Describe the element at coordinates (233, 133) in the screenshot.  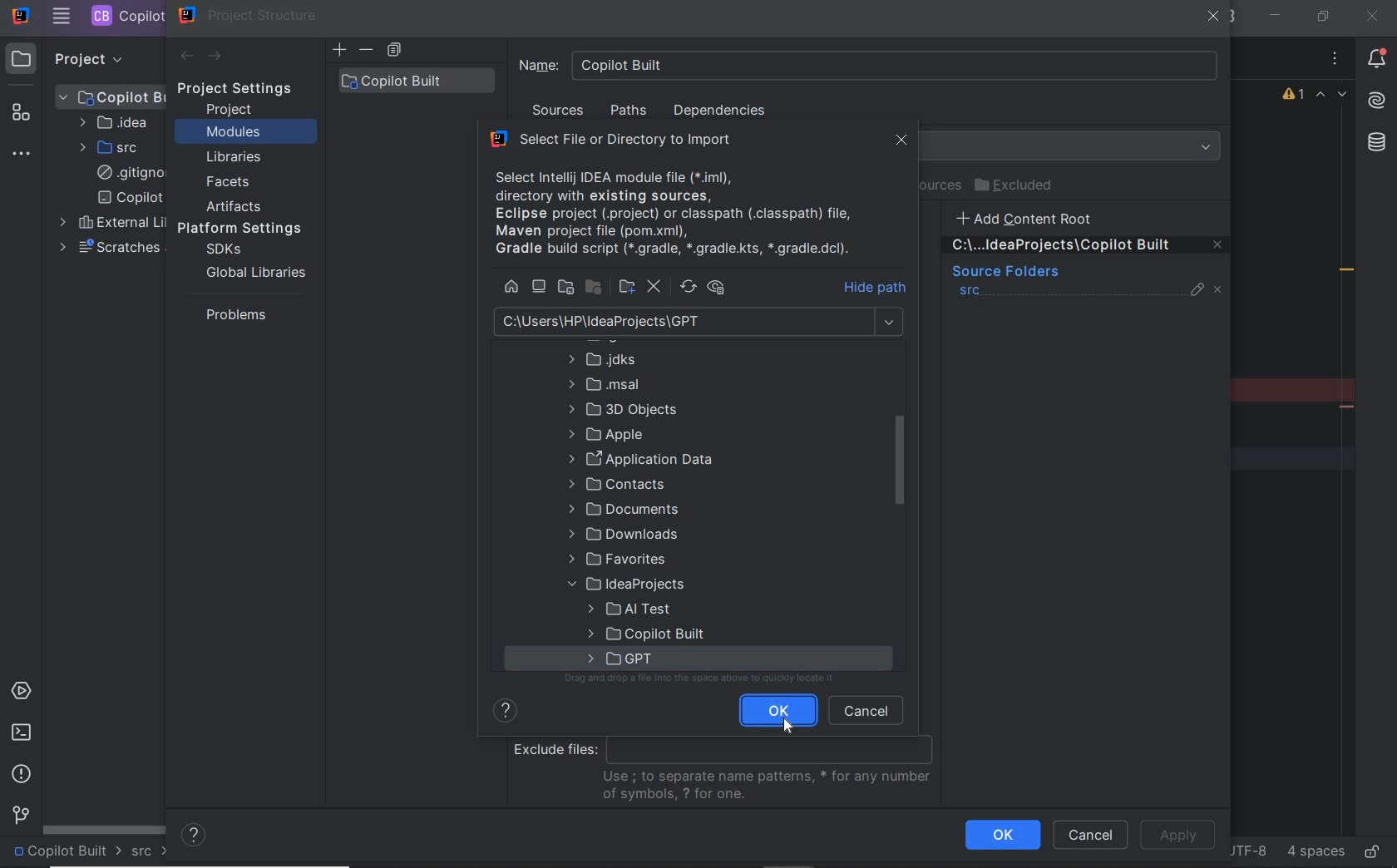
I see `modules` at that location.